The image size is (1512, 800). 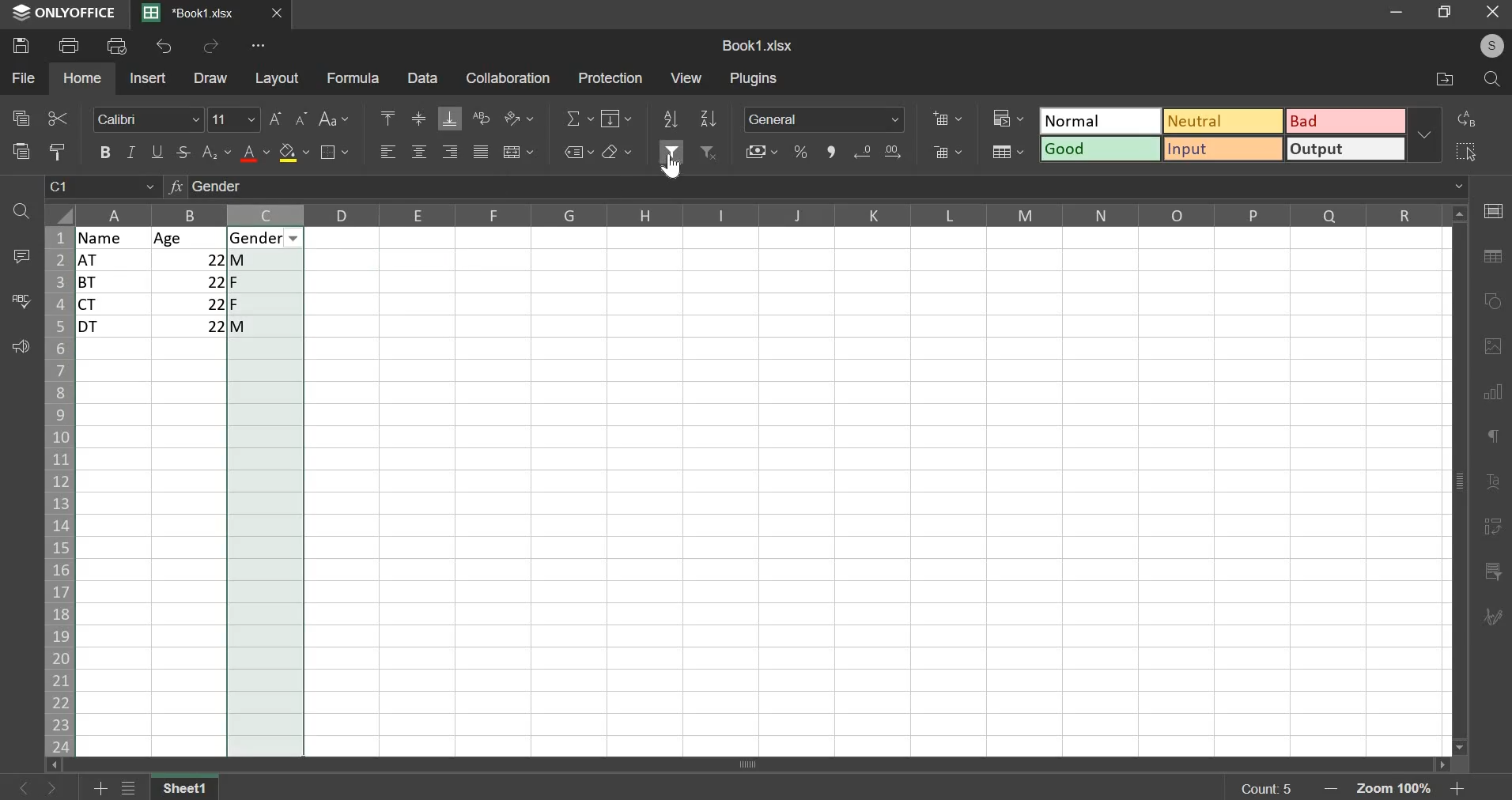 I want to click on clear, so click(x=617, y=151).